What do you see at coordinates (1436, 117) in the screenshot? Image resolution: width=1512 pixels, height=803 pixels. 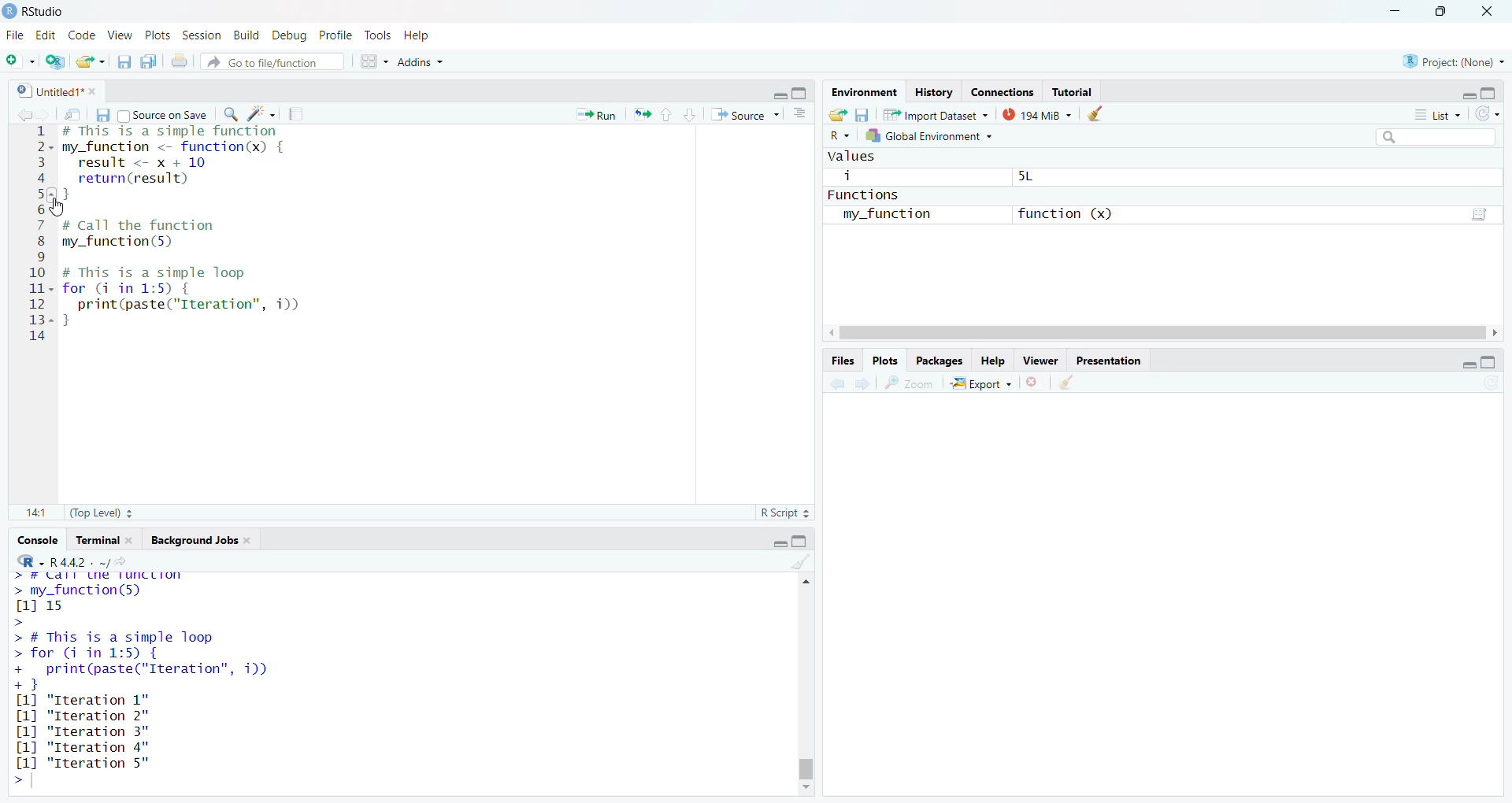 I see `list` at bounding box center [1436, 117].